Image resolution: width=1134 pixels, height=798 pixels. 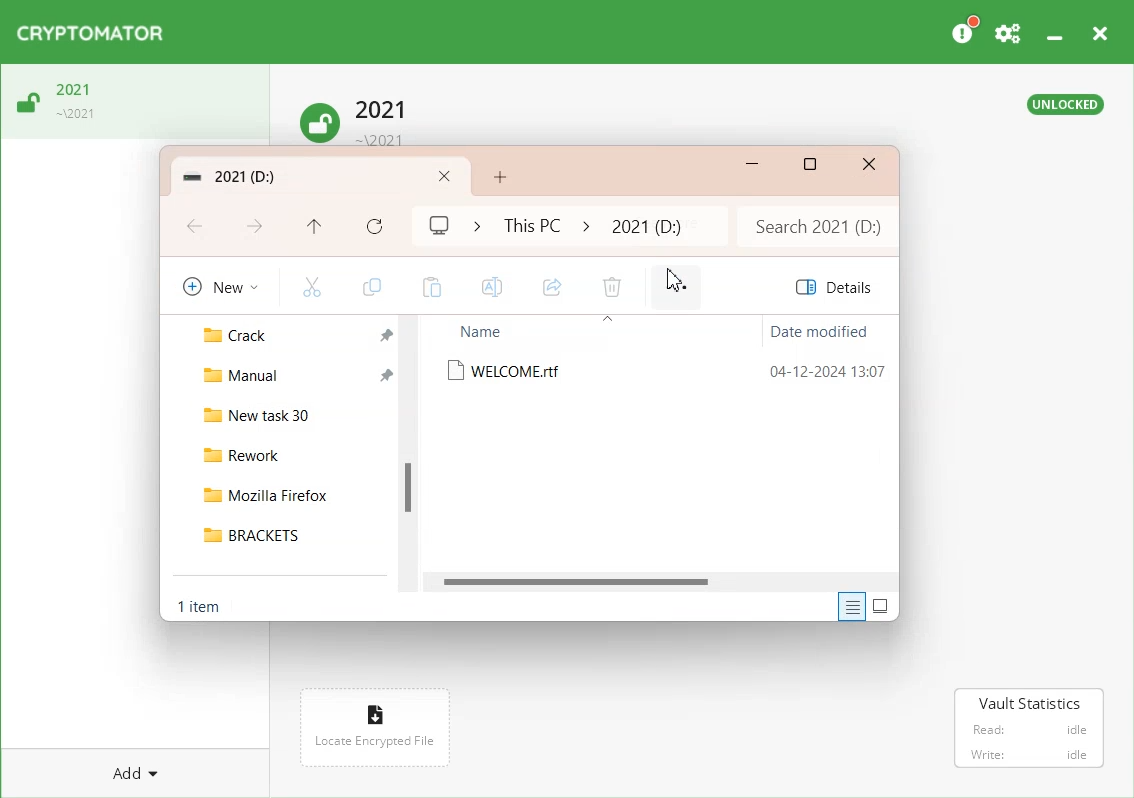 What do you see at coordinates (57, 97) in the screenshot?
I see `Unlock Vault` at bounding box center [57, 97].